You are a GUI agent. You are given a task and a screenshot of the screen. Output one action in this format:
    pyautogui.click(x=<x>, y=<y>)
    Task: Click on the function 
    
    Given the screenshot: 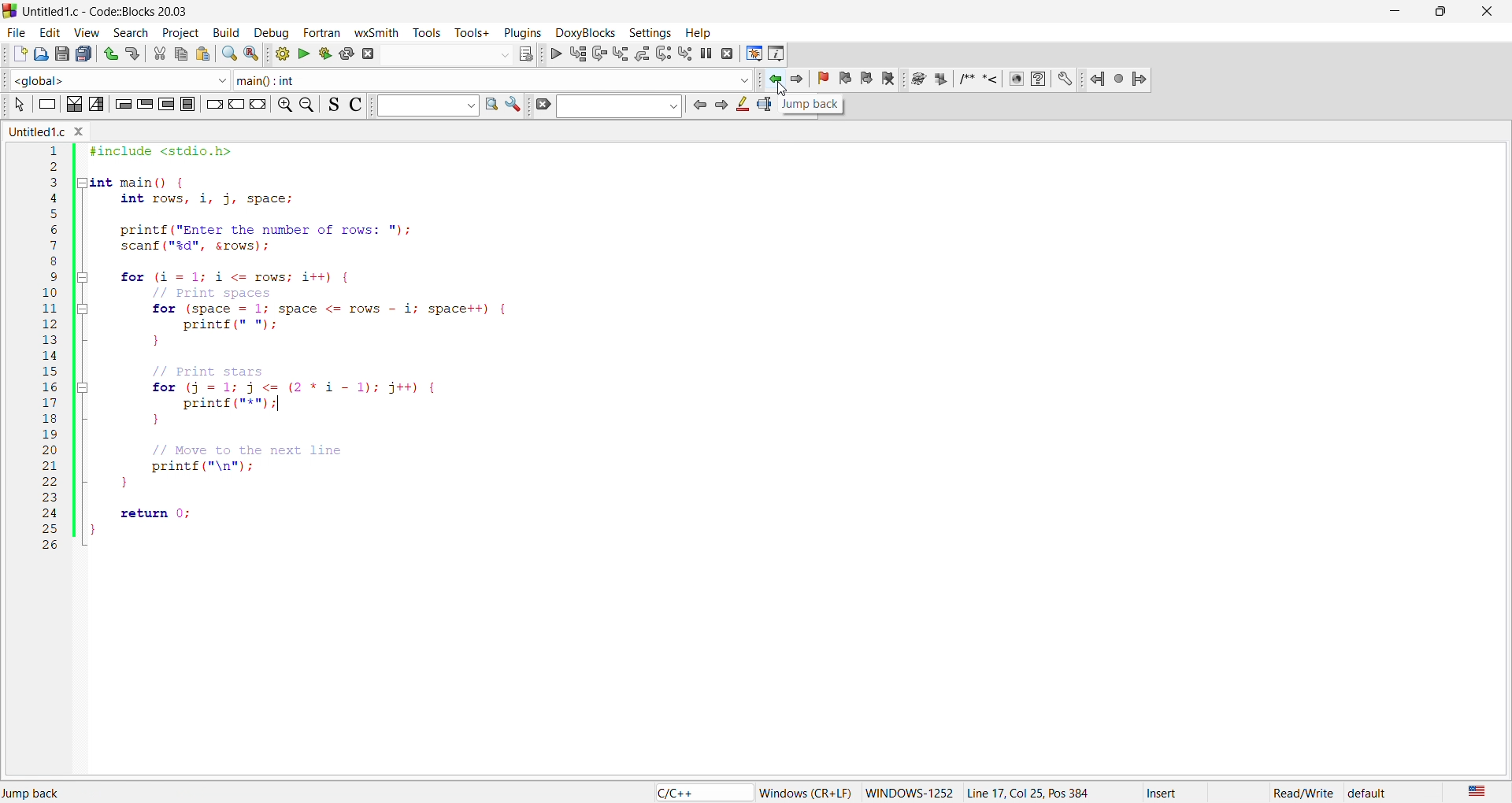 What is the action you would take?
    pyautogui.click(x=493, y=80)
    